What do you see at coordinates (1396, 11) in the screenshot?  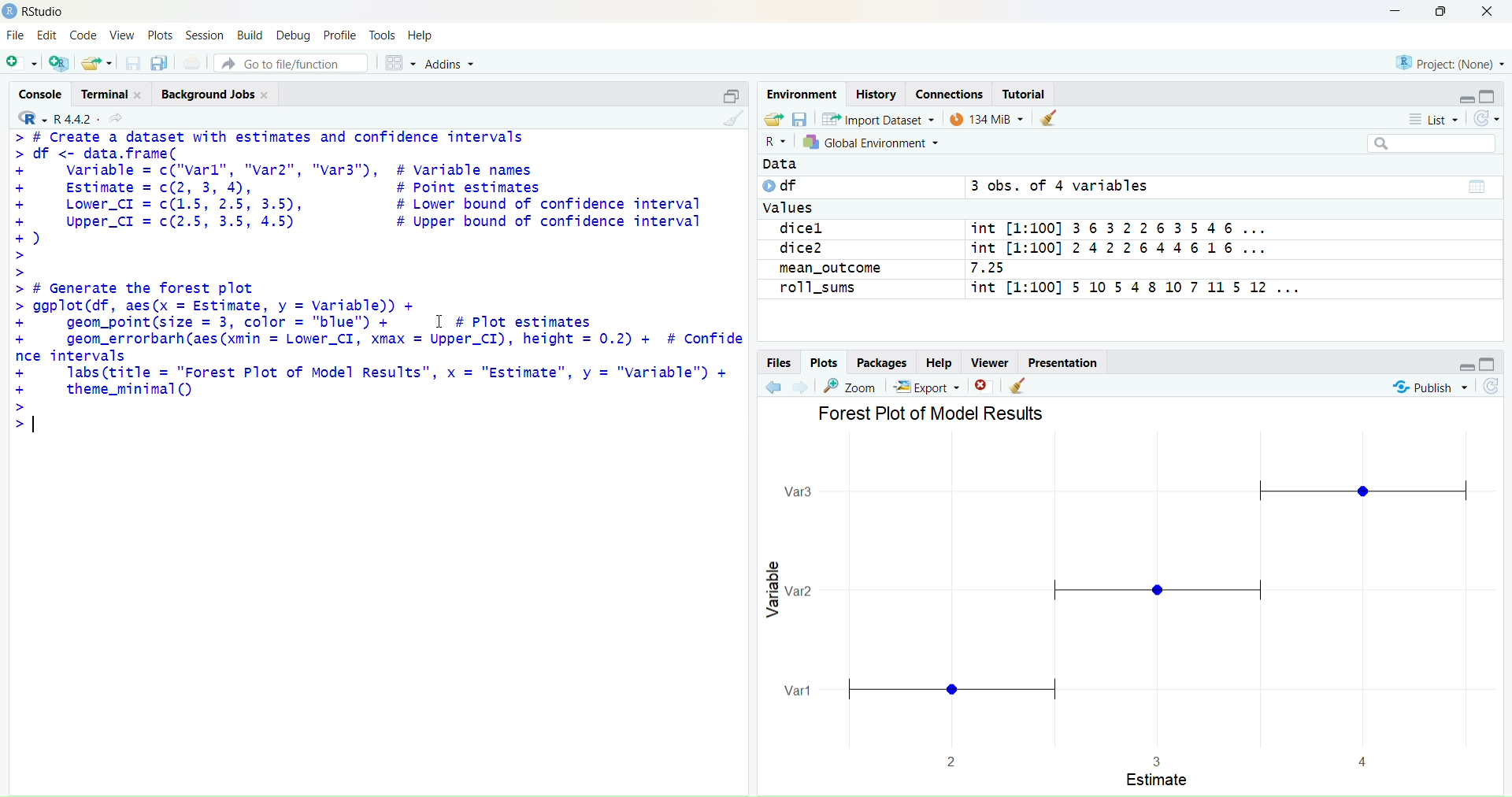 I see `minimize` at bounding box center [1396, 11].